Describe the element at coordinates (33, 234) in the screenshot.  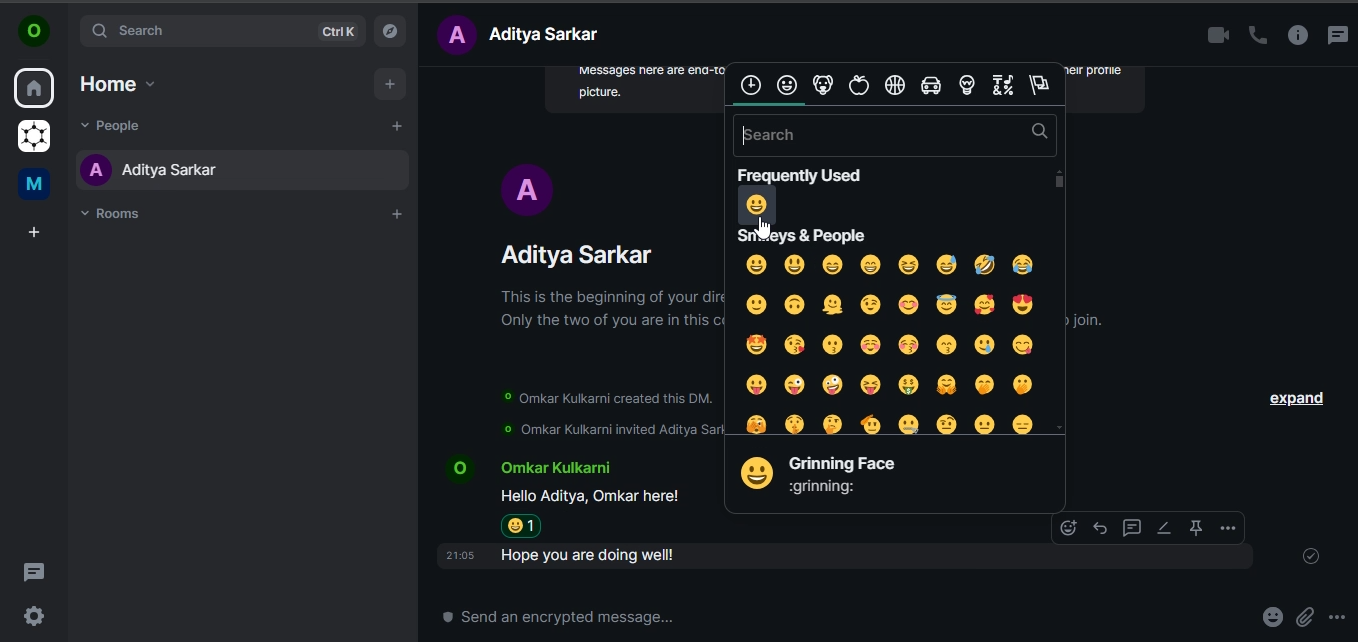
I see `create a space` at that location.